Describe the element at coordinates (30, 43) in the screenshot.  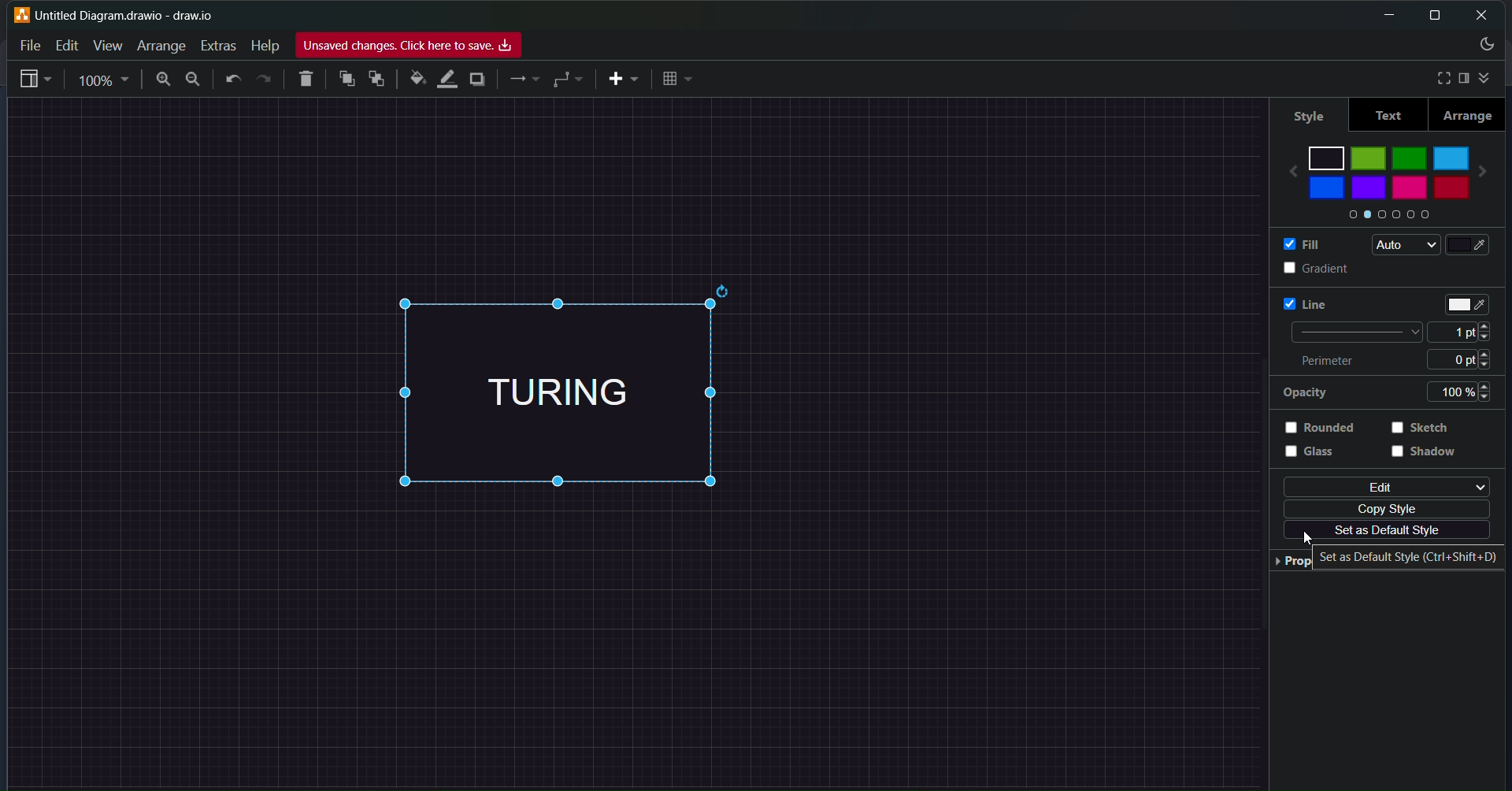
I see `File` at that location.